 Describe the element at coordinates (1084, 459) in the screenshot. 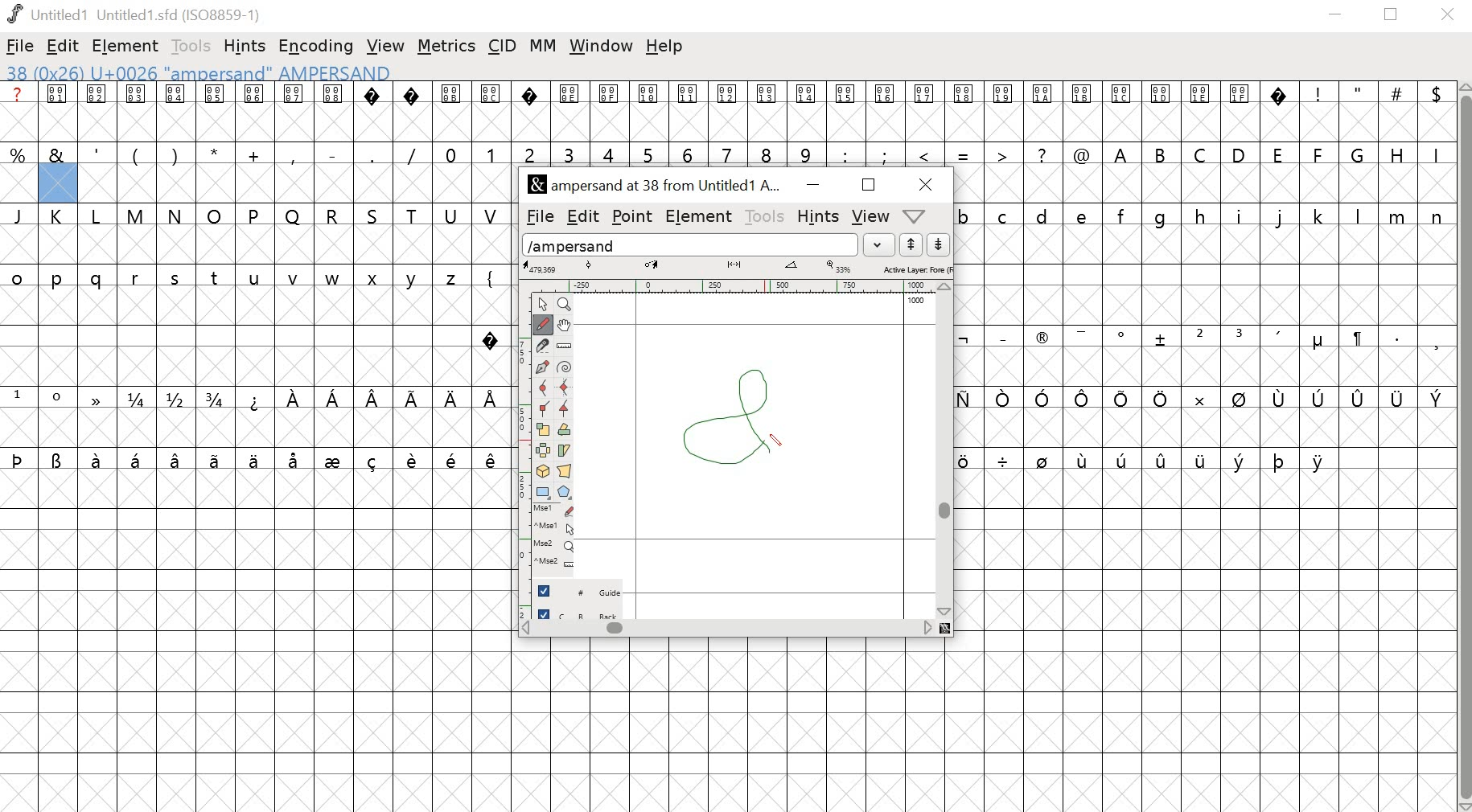

I see `symbol` at that location.